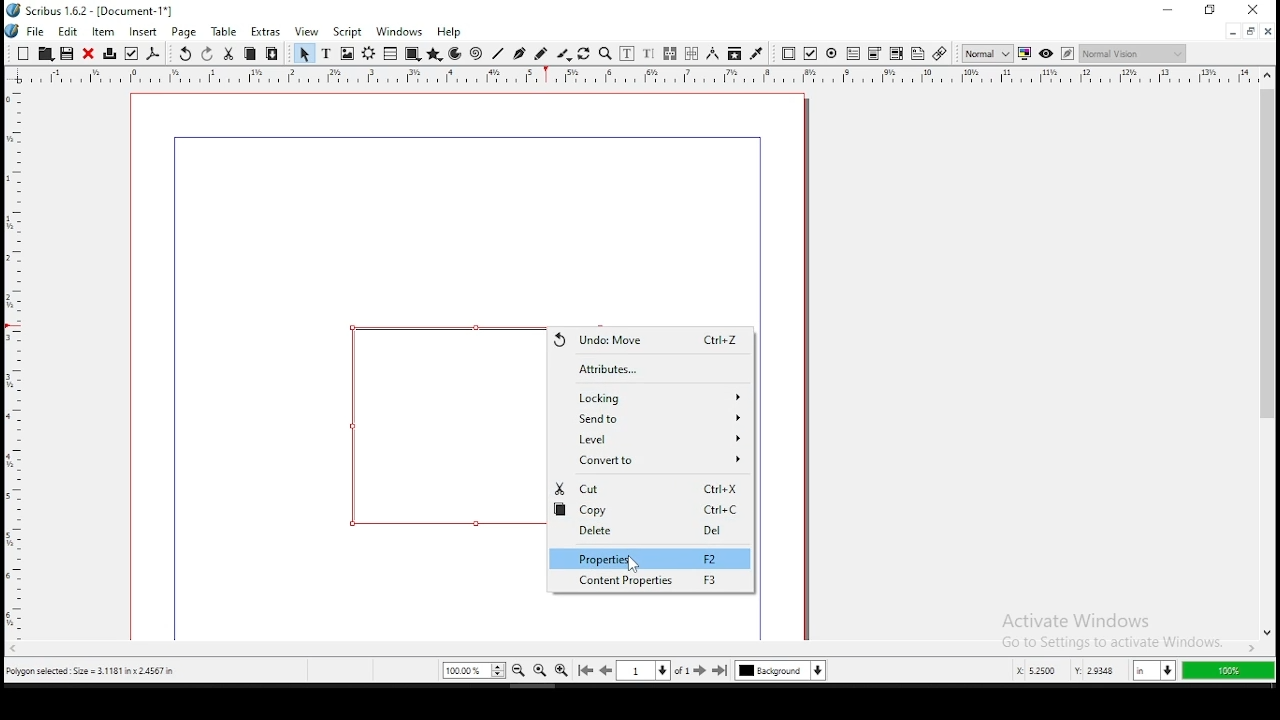 The height and width of the screenshot is (720, 1280). What do you see at coordinates (650, 558) in the screenshot?
I see `properties` at bounding box center [650, 558].